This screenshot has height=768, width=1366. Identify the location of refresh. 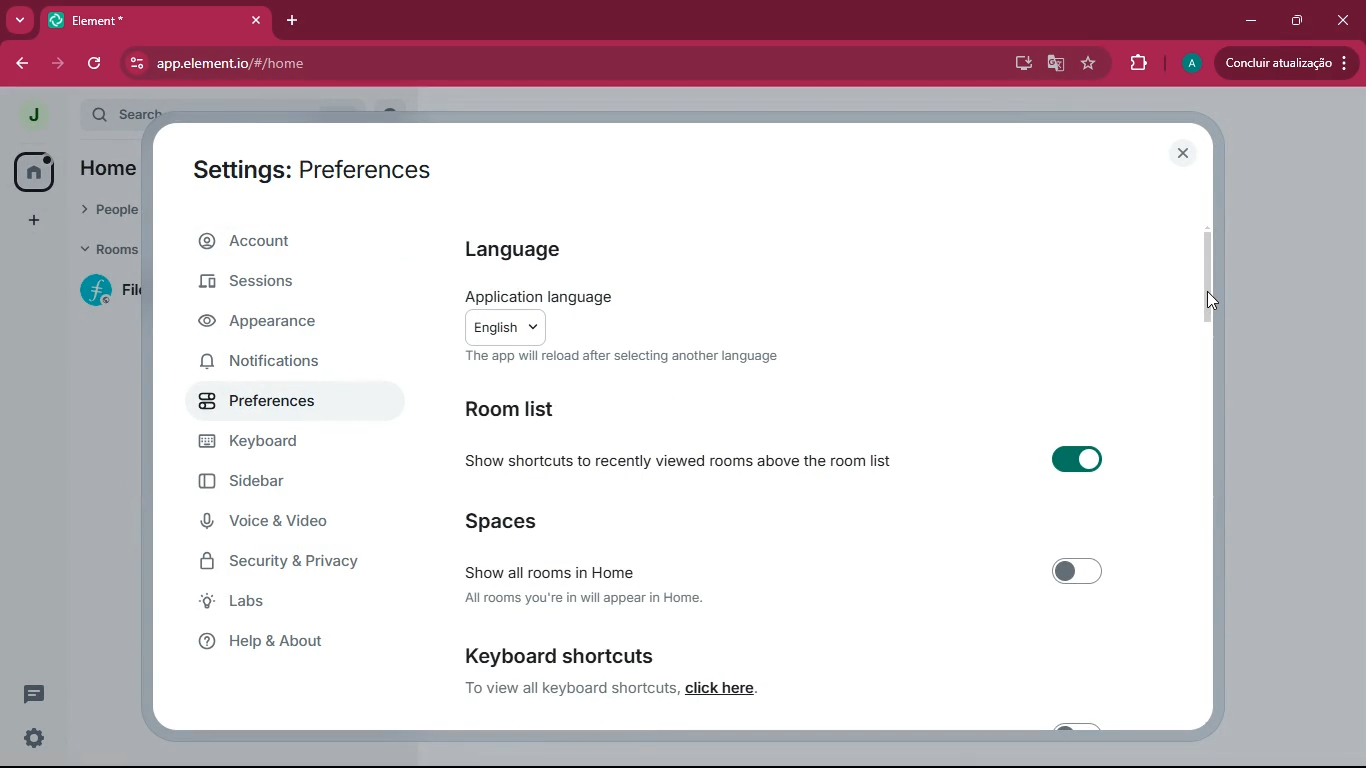
(96, 64).